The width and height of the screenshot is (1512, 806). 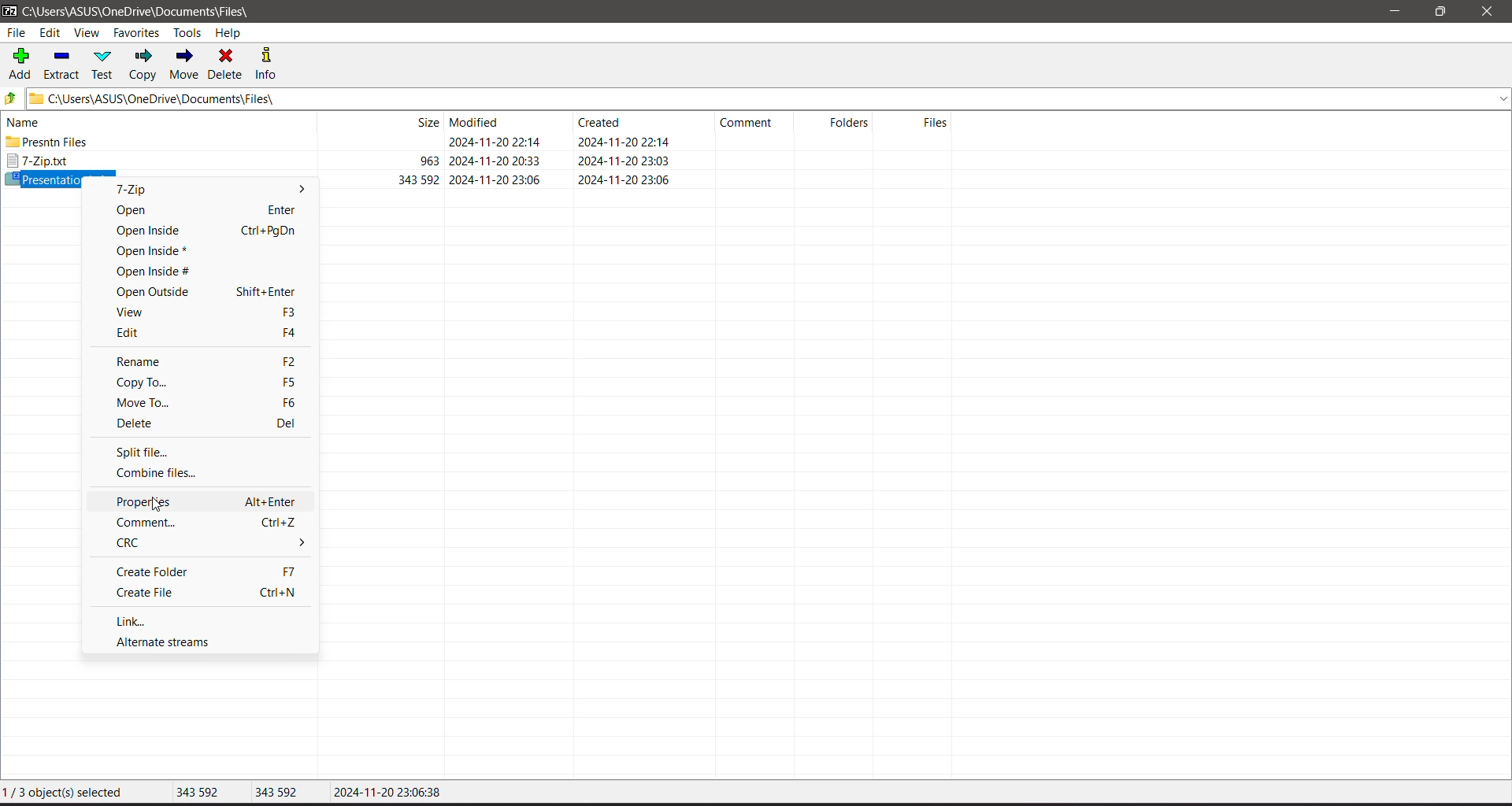 I want to click on Alternate streams, so click(x=156, y=642).